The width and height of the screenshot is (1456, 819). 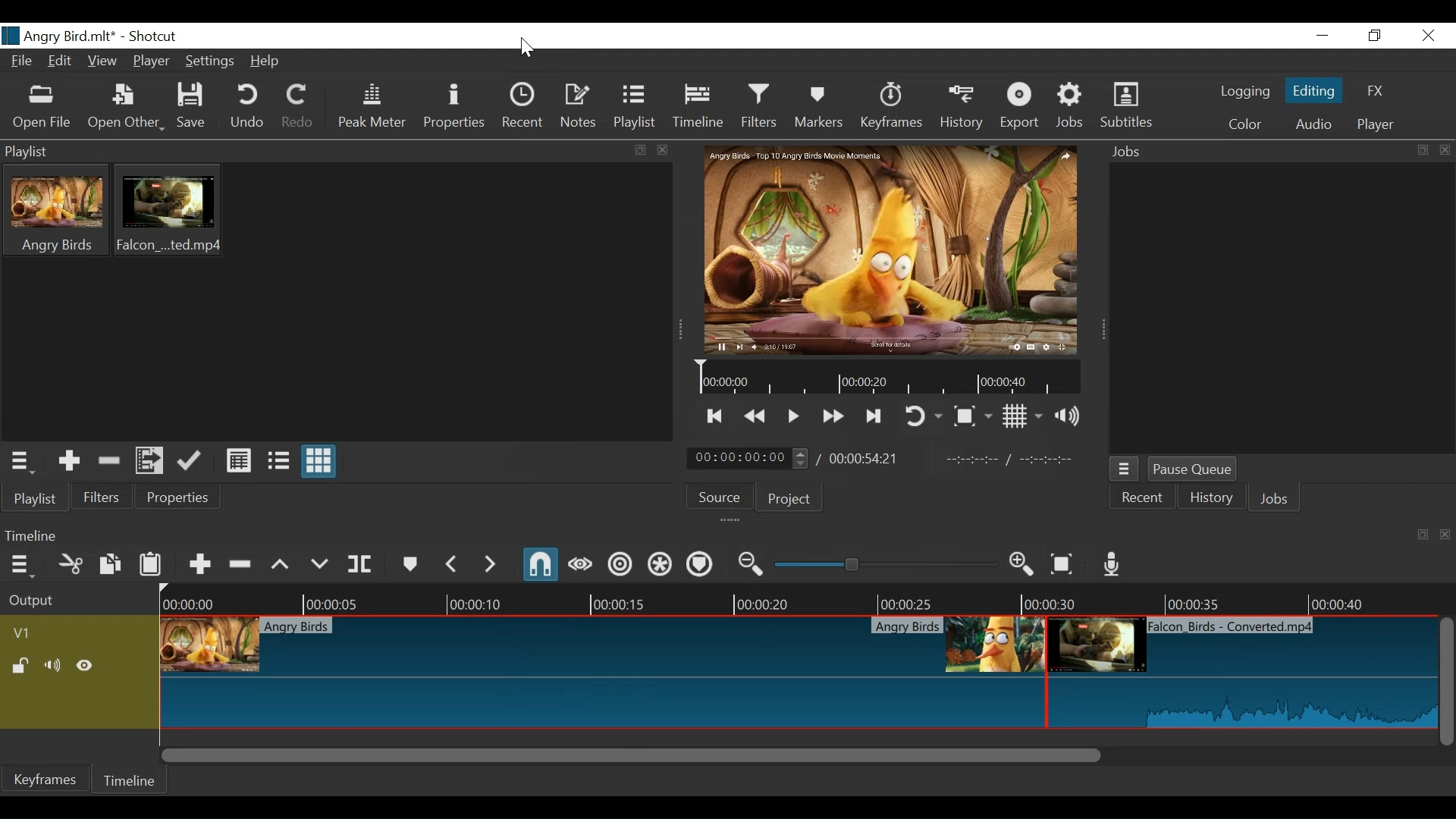 What do you see at coordinates (71, 565) in the screenshot?
I see `Cut` at bounding box center [71, 565].